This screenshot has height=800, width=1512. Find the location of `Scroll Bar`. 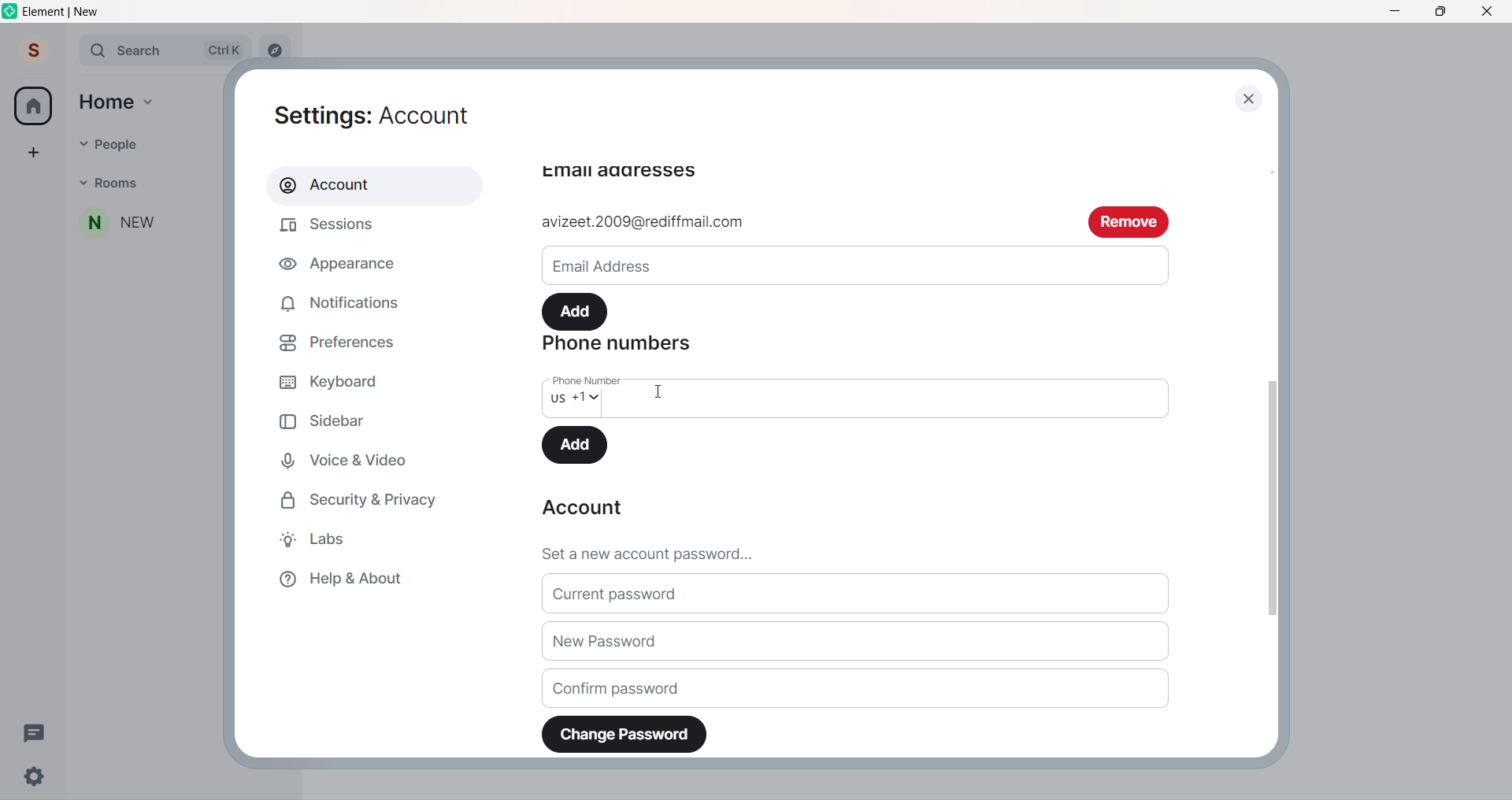

Scroll Bar is located at coordinates (1270, 494).